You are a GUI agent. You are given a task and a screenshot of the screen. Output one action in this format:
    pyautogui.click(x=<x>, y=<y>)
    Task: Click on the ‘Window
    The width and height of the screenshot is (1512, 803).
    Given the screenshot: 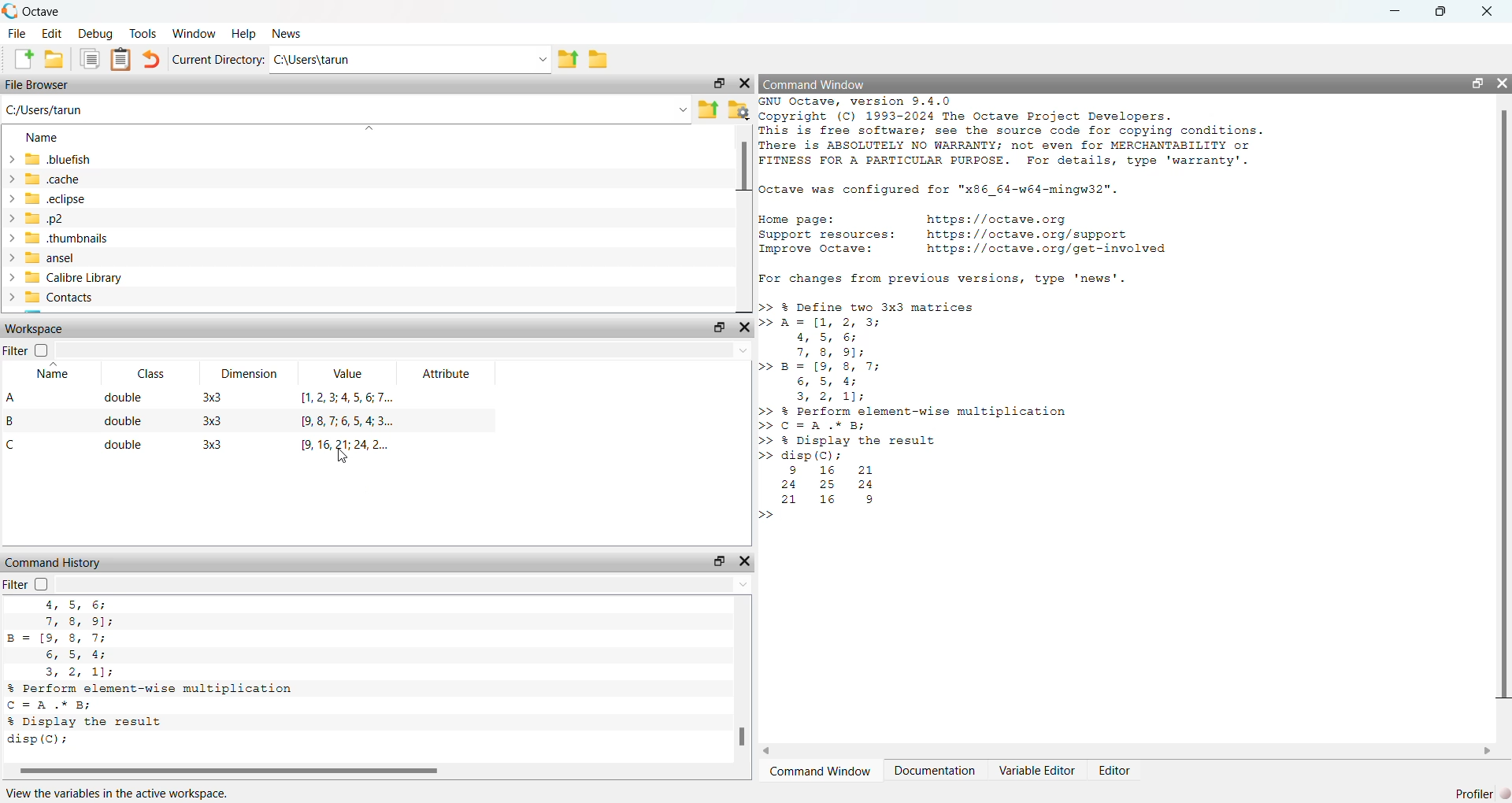 What is the action you would take?
    pyautogui.click(x=196, y=33)
    